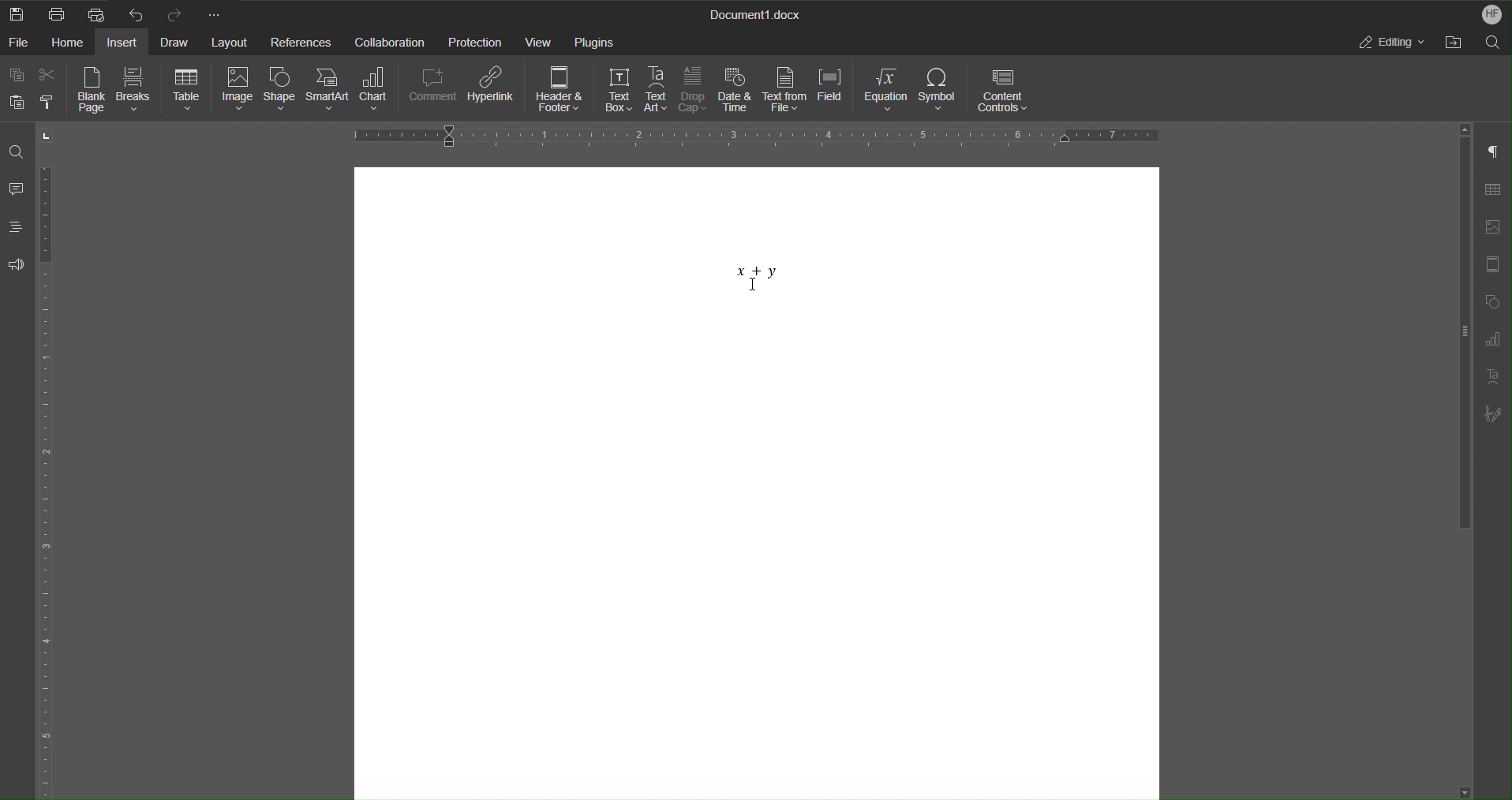  Describe the element at coordinates (18, 227) in the screenshot. I see `Headings` at that location.